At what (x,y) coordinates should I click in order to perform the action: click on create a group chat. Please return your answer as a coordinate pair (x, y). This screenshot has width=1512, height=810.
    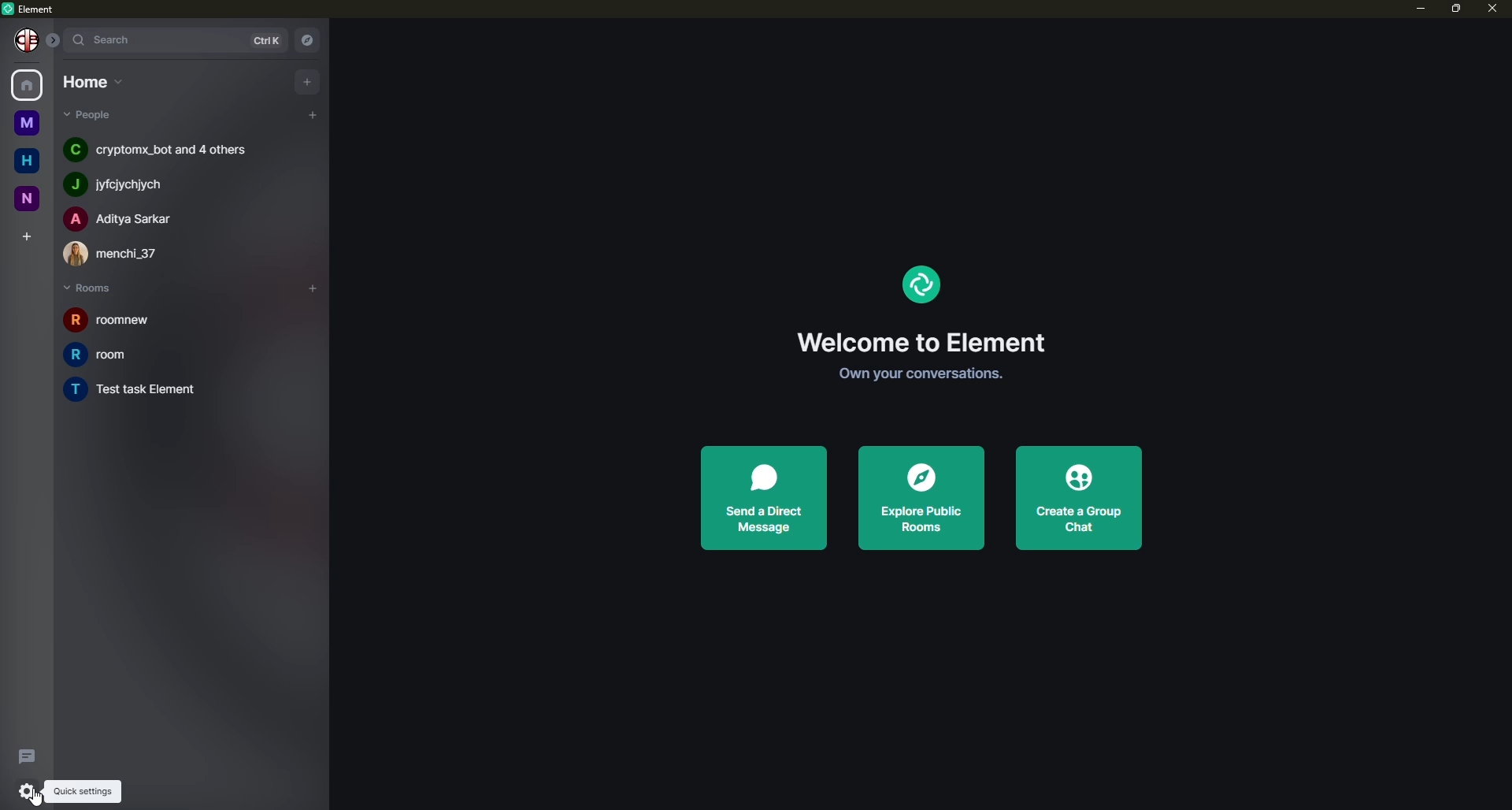
    Looking at the image, I should click on (1074, 497).